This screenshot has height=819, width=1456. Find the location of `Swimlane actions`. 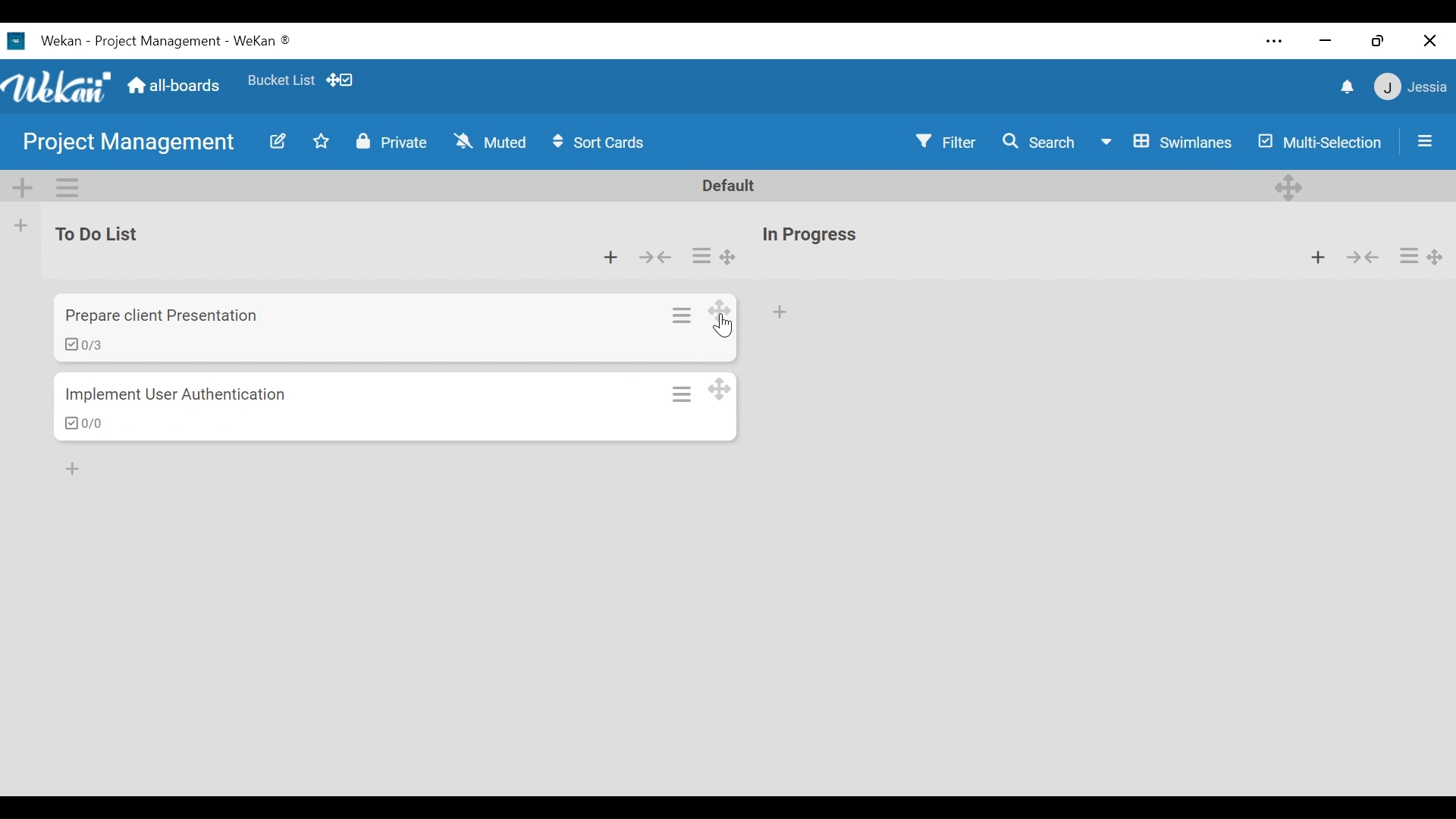

Swimlane actions is located at coordinates (67, 187).